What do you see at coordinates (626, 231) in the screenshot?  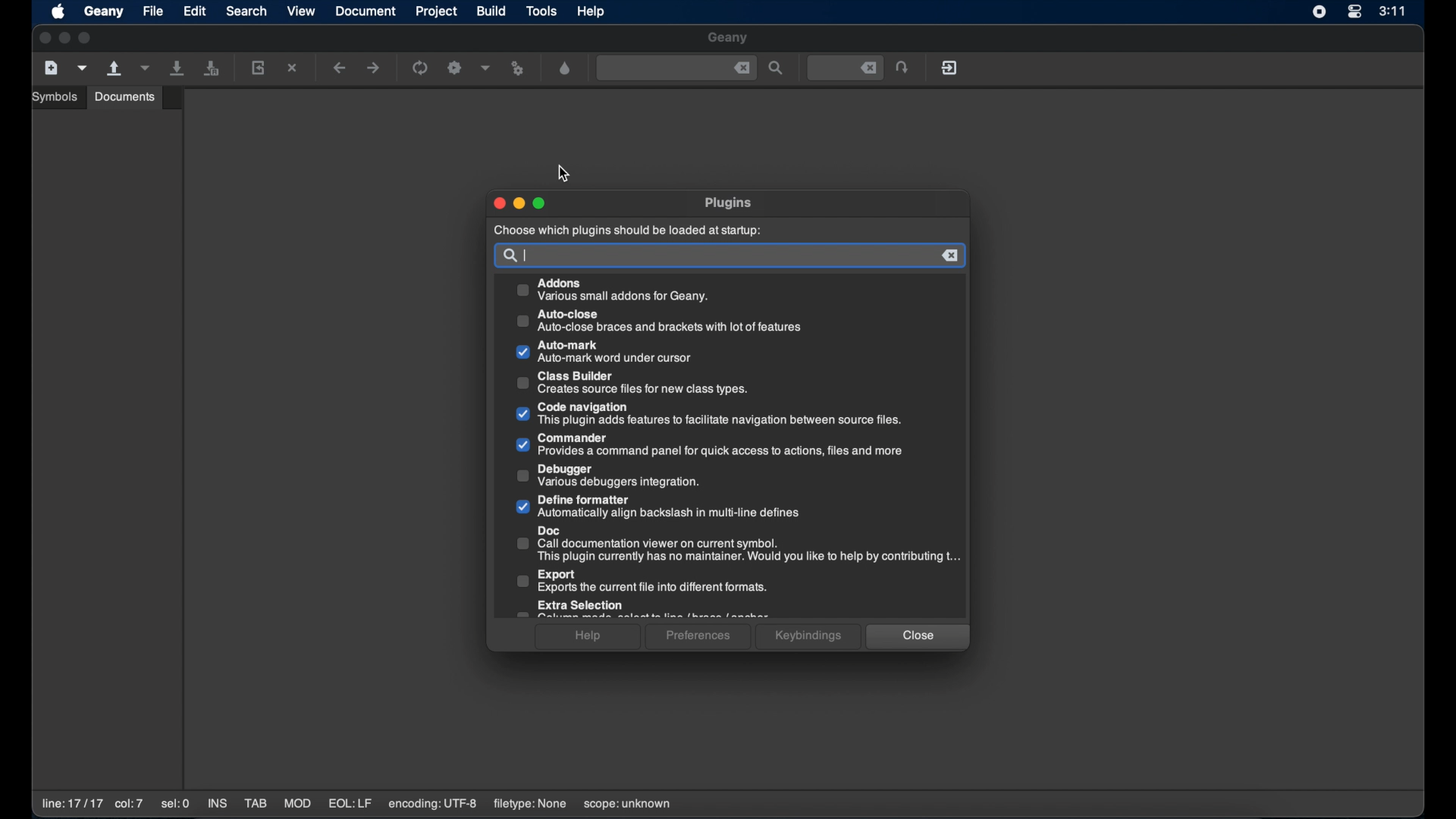 I see `choose which plugins should be loaded at startup` at bounding box center [626, 231].